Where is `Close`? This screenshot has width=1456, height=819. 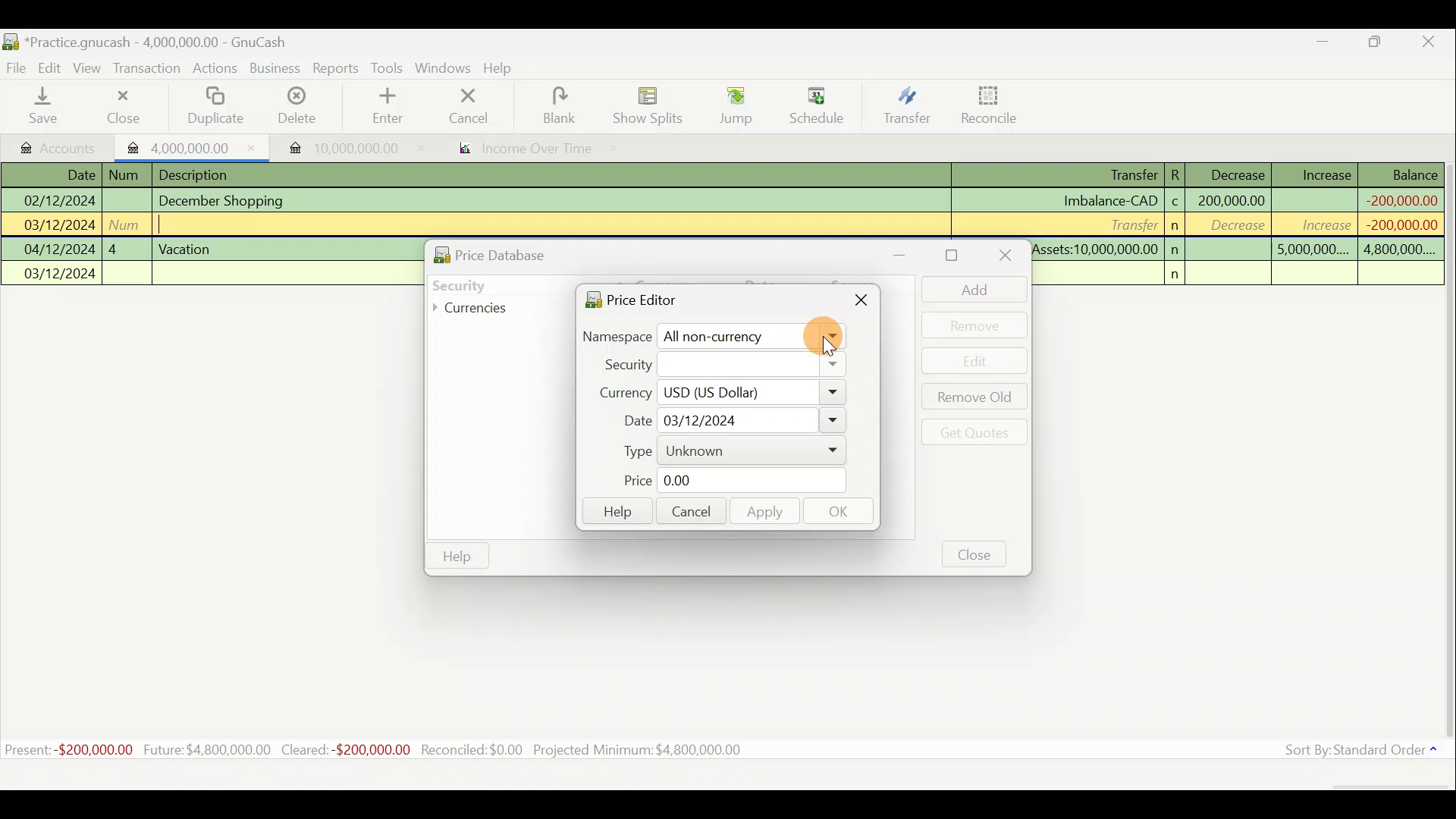 Close is located at coordinates (121, 106).